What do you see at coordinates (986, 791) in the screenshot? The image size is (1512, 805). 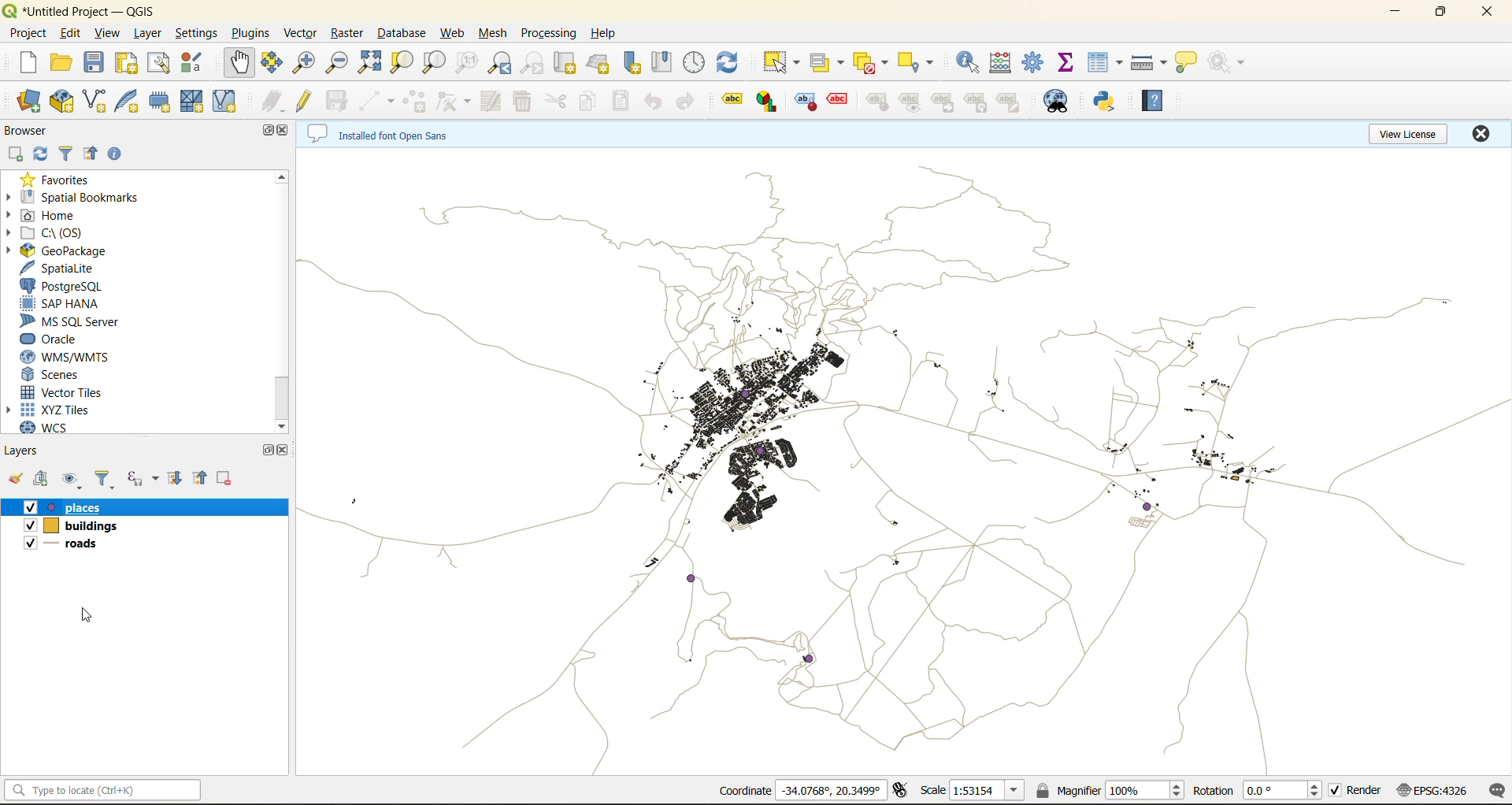 I see `scale` at bounding box center [986, 791].